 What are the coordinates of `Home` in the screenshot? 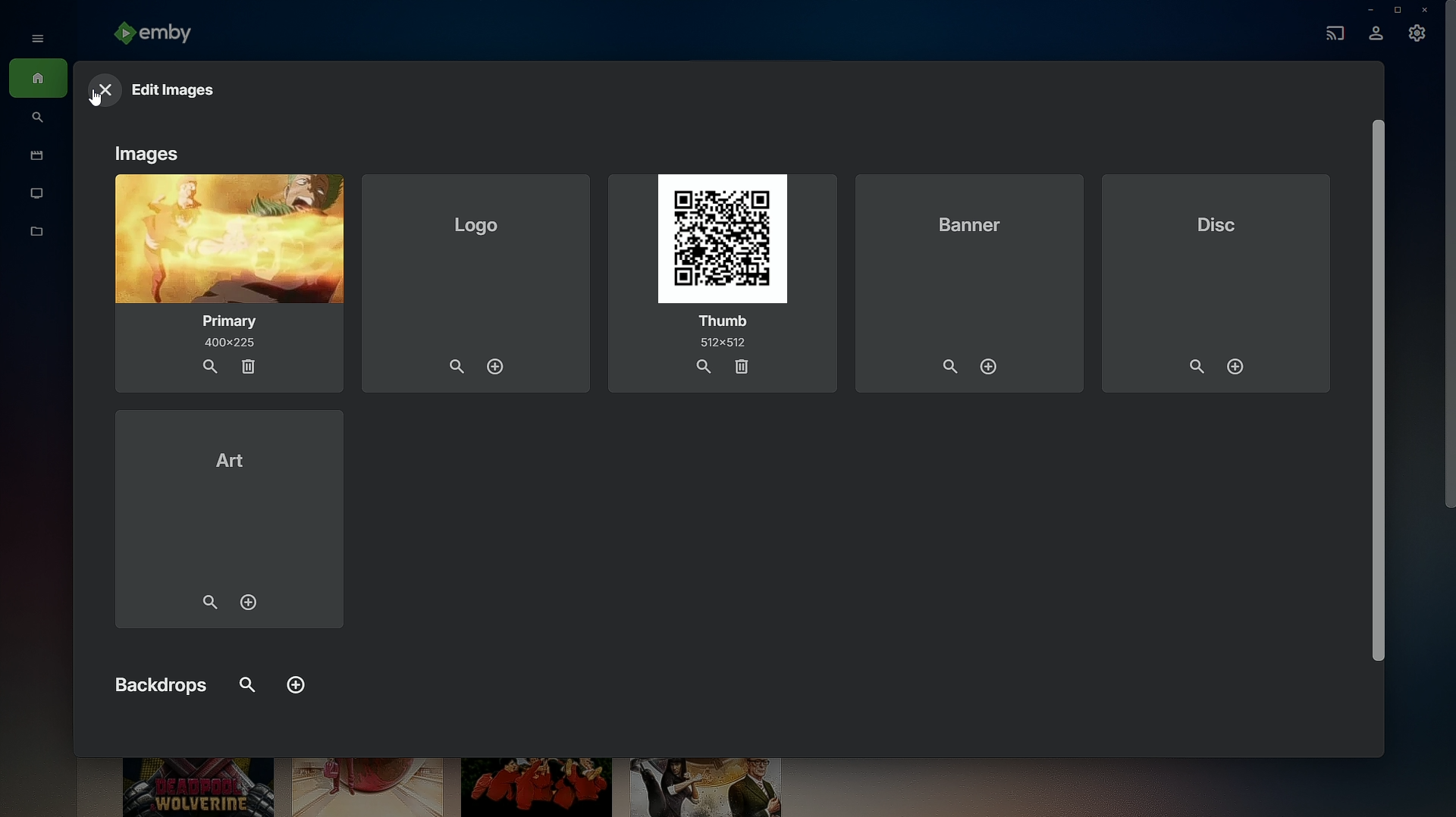 It's located at (38, 80).